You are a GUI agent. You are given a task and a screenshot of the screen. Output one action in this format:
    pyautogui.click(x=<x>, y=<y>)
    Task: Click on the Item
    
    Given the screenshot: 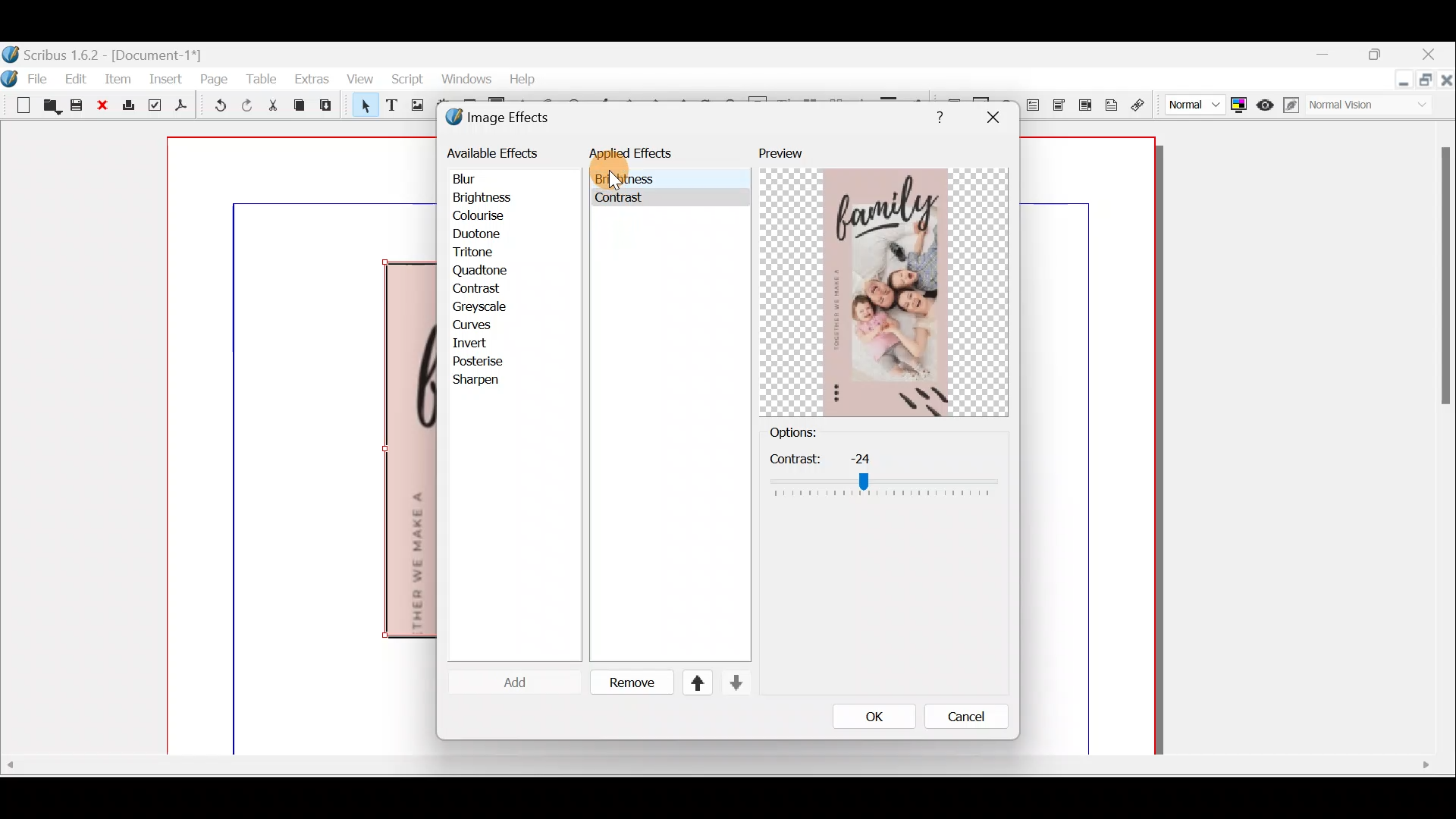 What is the action you would take?
    pyautogui.click(x=120, y=78)
    